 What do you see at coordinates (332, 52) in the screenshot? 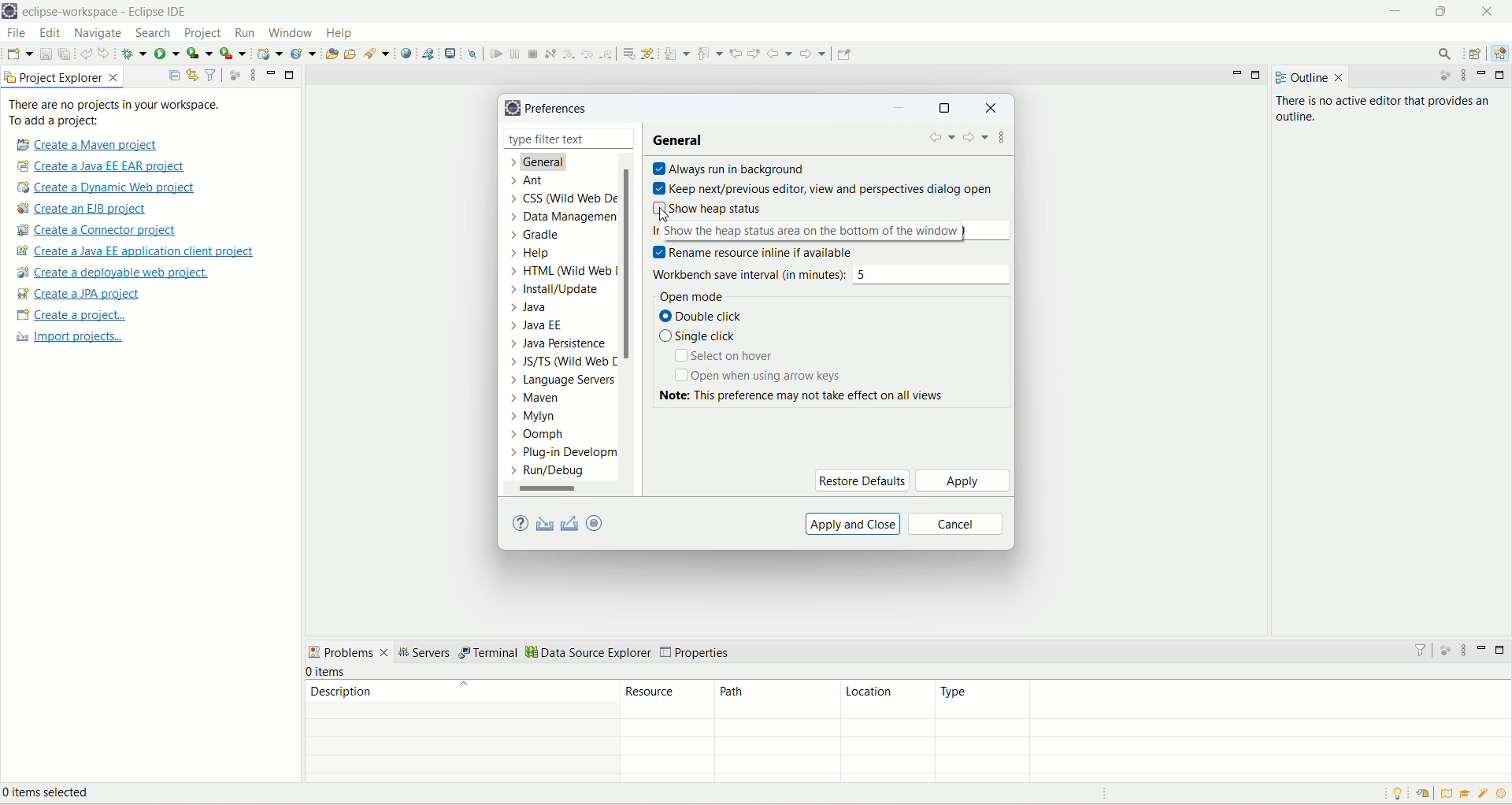
I see `open type` at bounding box center [332, 52].